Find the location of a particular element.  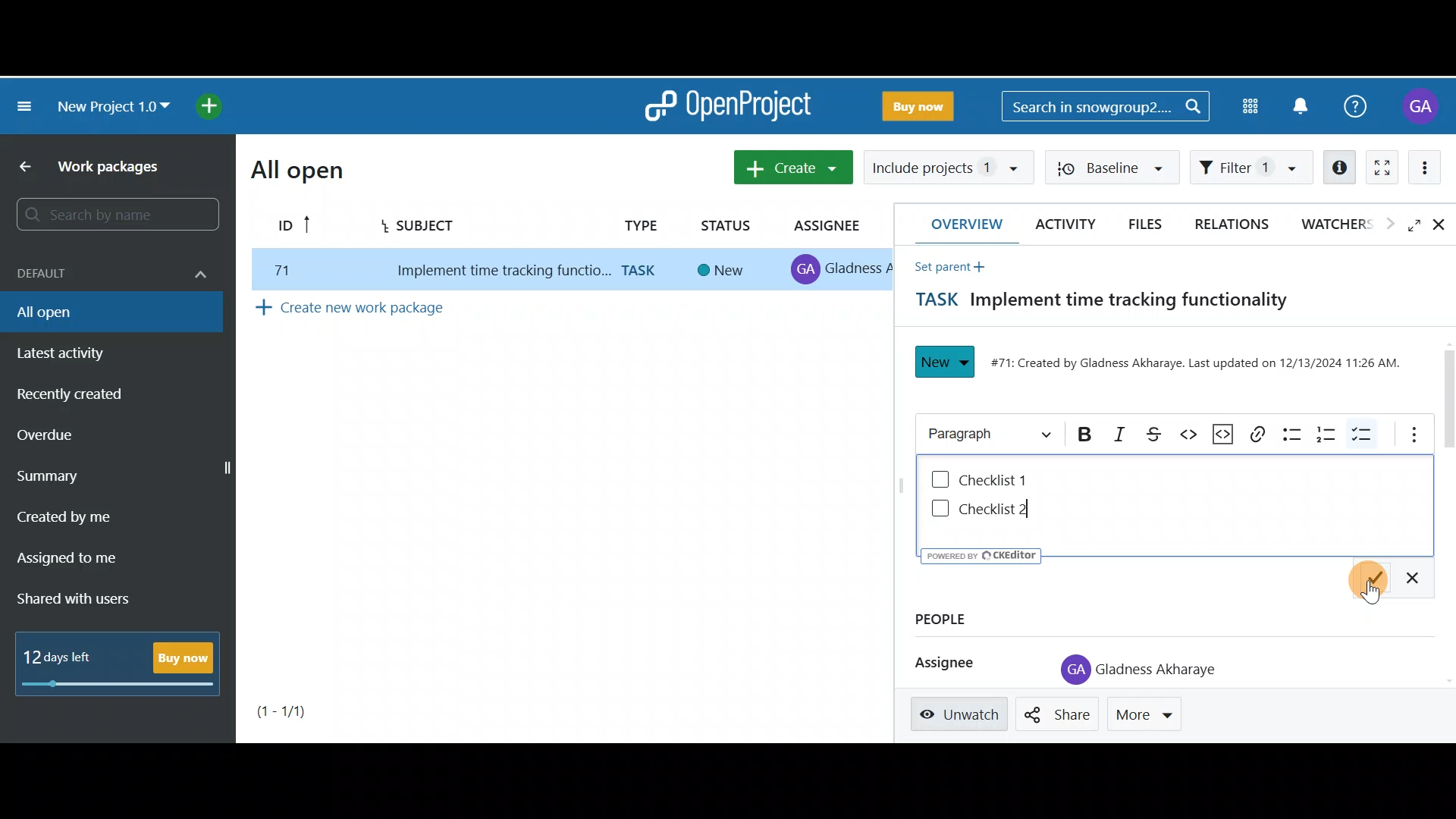

Search bar is located at coordinates (1109, 104).